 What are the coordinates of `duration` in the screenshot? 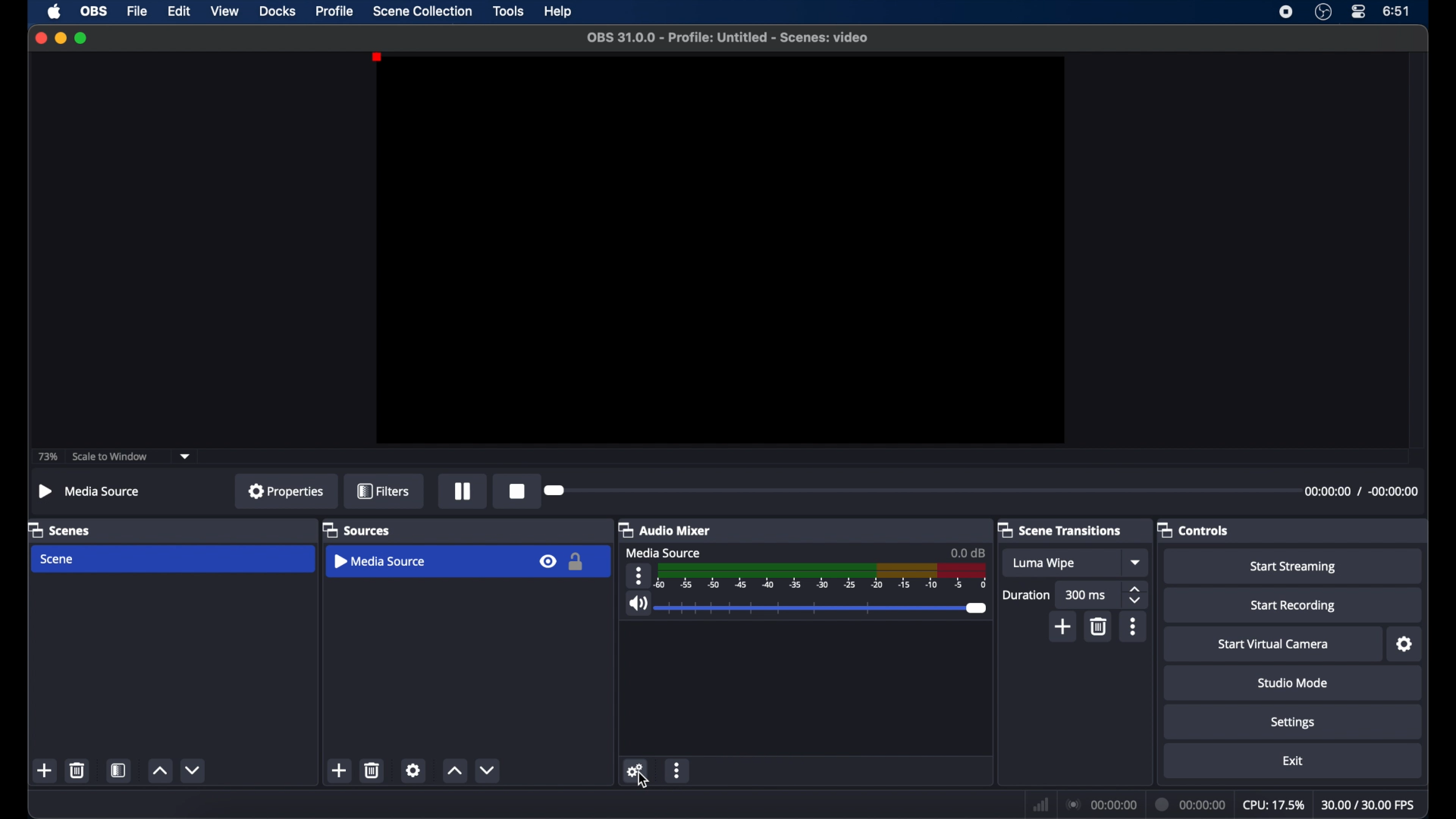 It's located at (1027, 596).